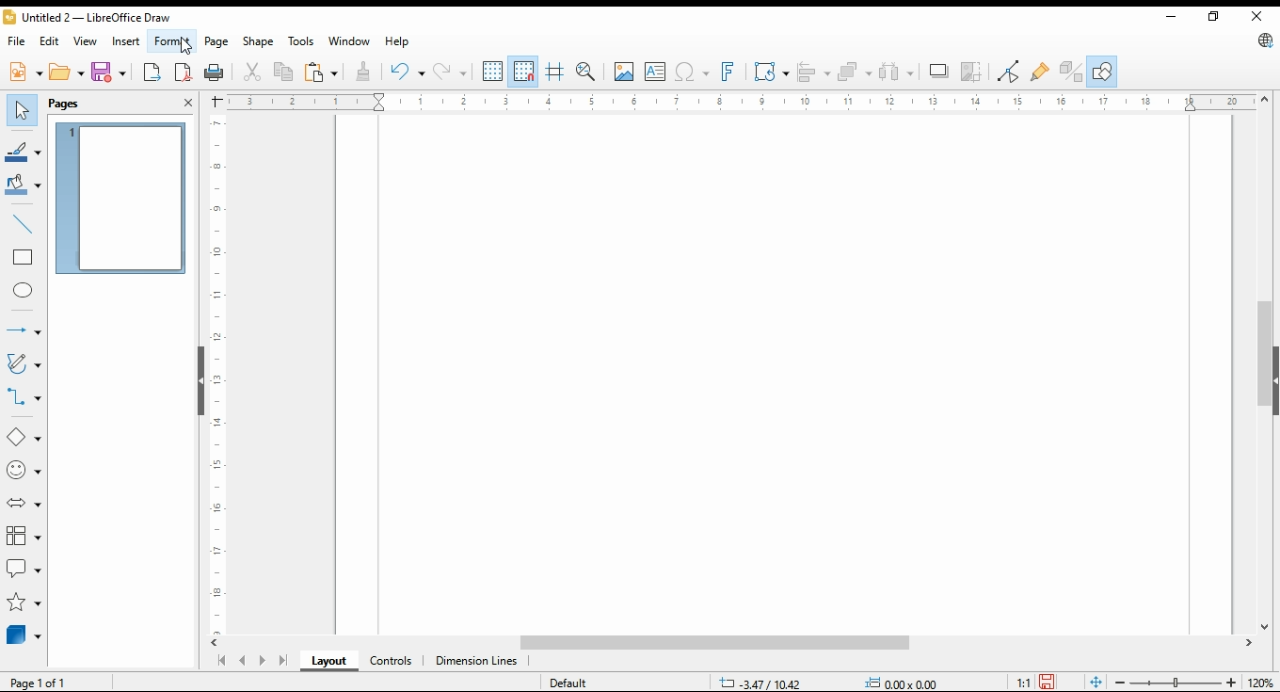 The height and width of the screenshot is (692, 1280). I want to click on insert line, so click(24, 224).